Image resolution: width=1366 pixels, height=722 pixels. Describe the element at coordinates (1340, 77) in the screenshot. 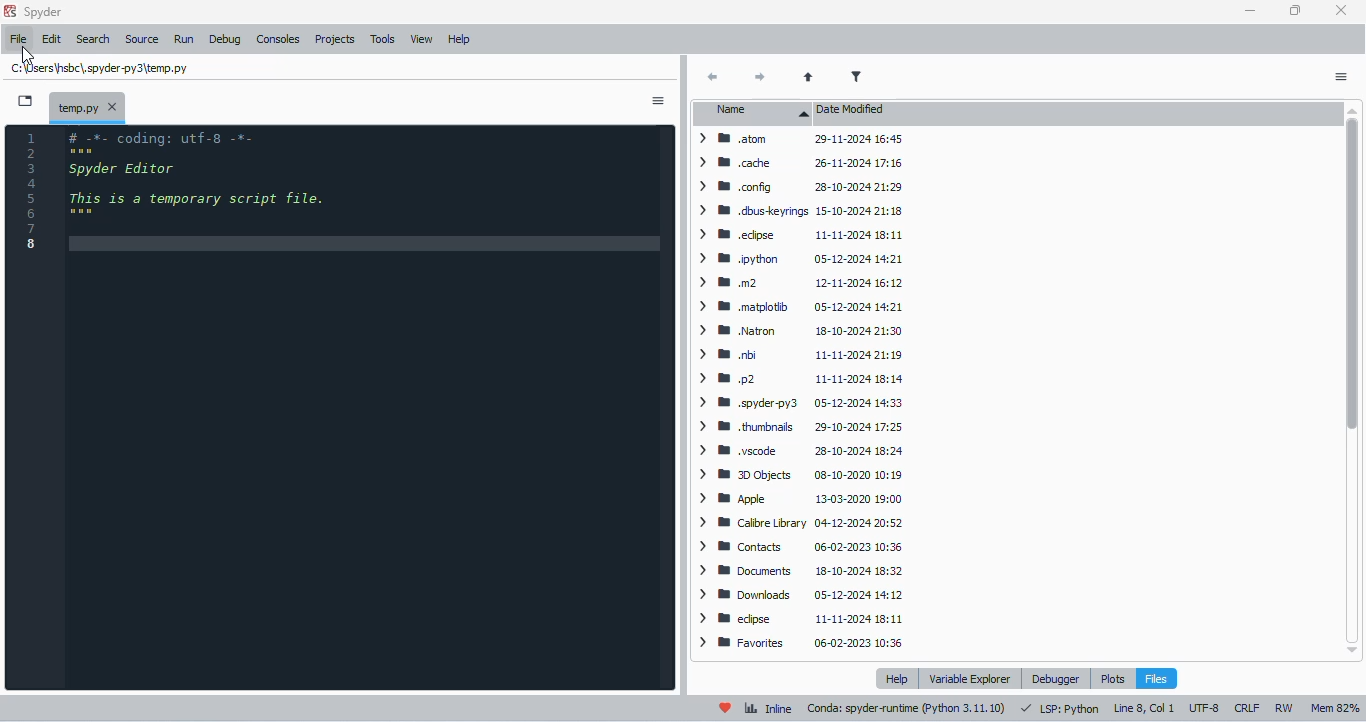

I see `options` at that location.